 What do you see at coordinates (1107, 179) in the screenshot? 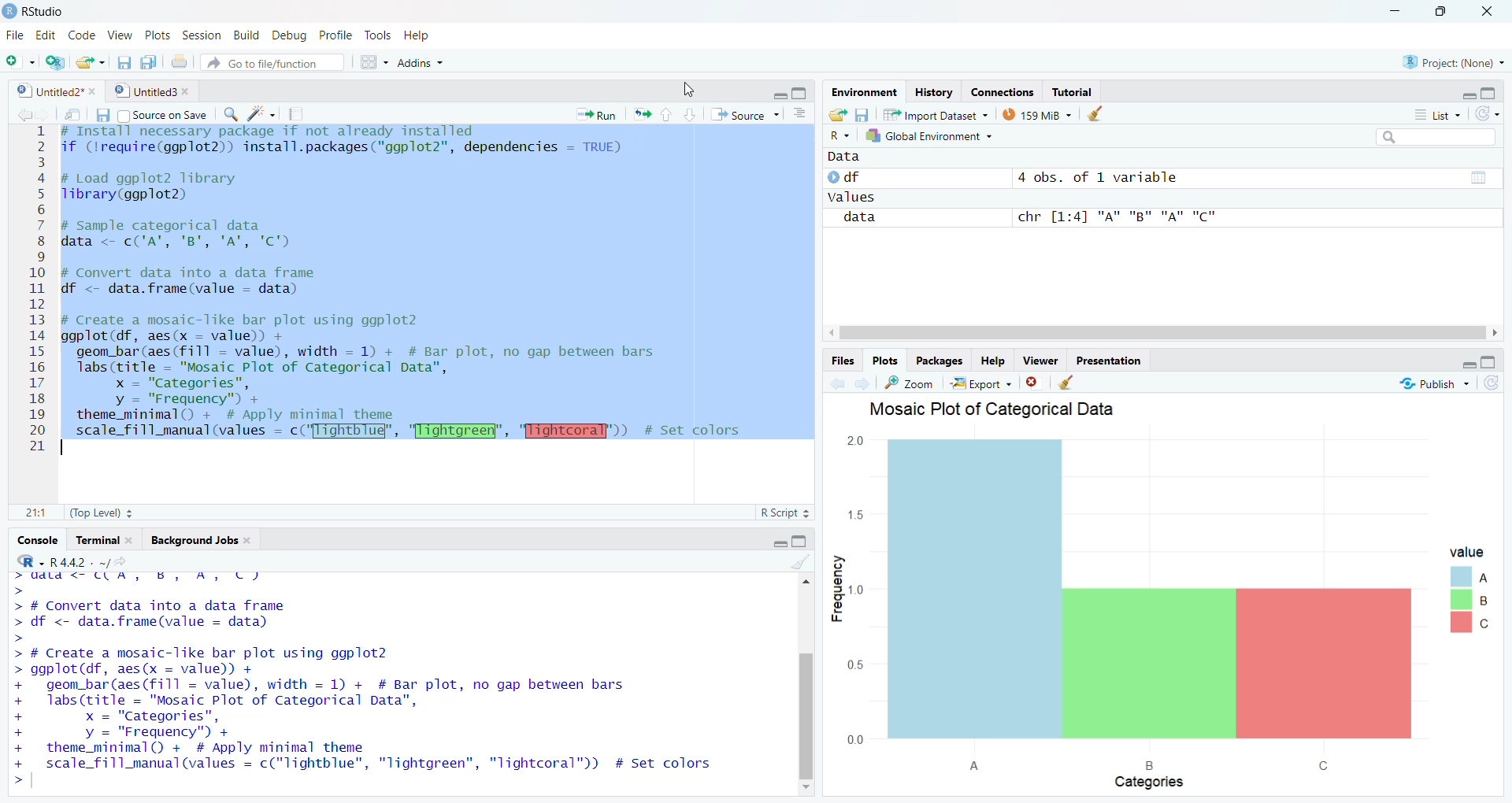
I see `4 obs. of 1 variable` at bounding box center [1107, 179].